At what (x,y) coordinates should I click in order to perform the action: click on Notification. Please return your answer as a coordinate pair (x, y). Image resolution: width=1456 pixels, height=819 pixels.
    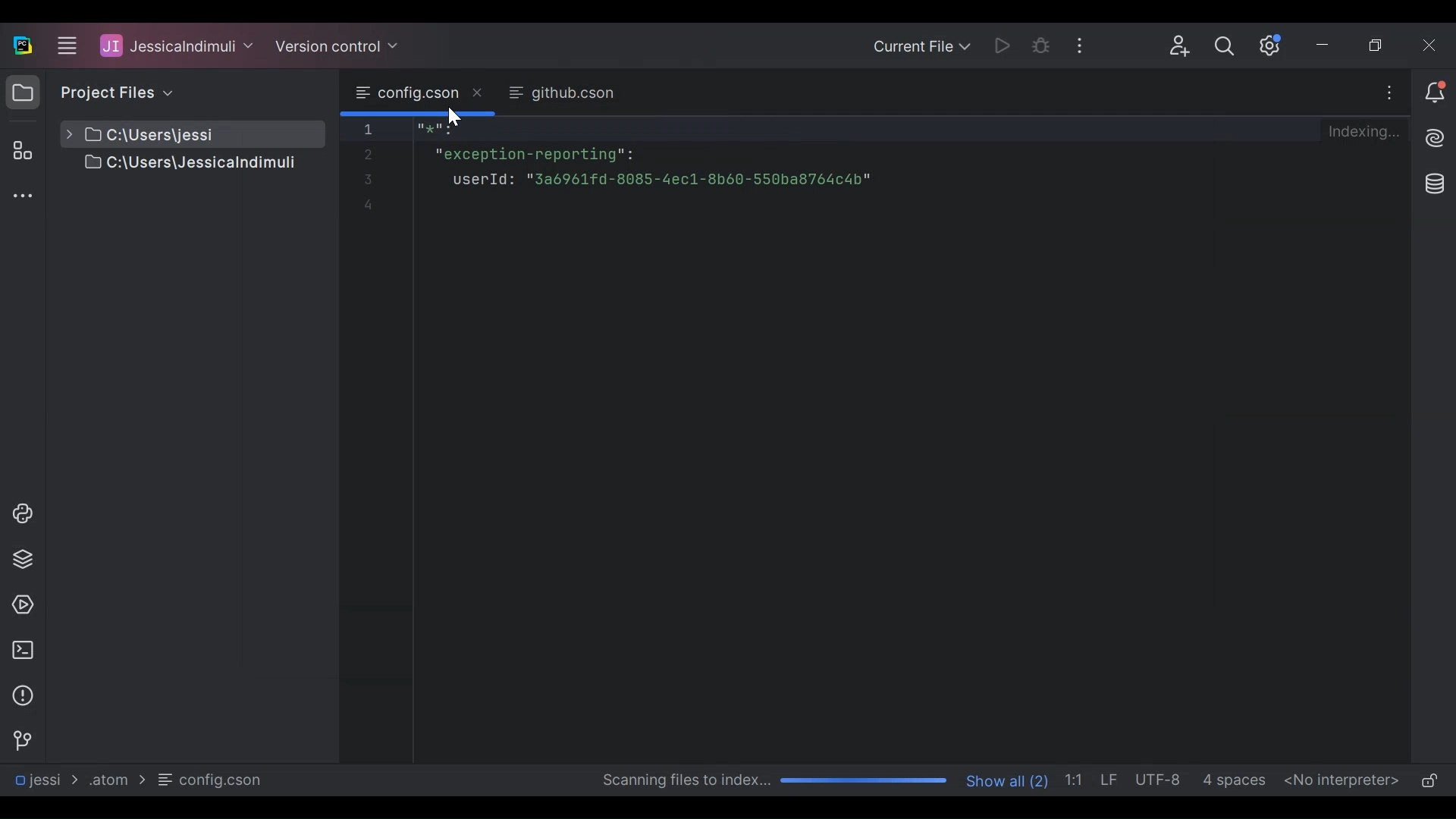
    Looking at the image, I should click on (1433, 91).